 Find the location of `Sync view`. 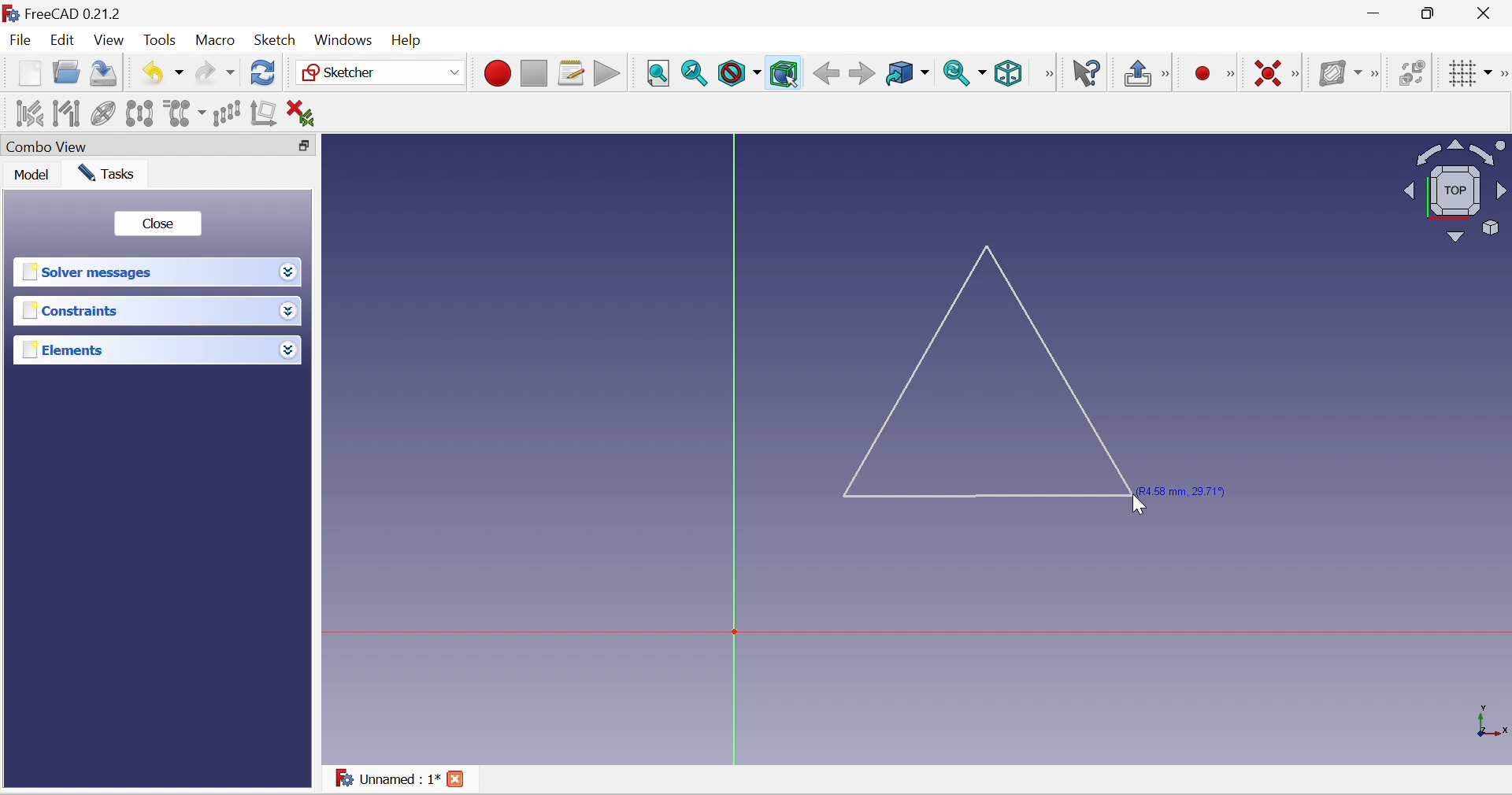

Sync view is located at coordinates (966, 74).